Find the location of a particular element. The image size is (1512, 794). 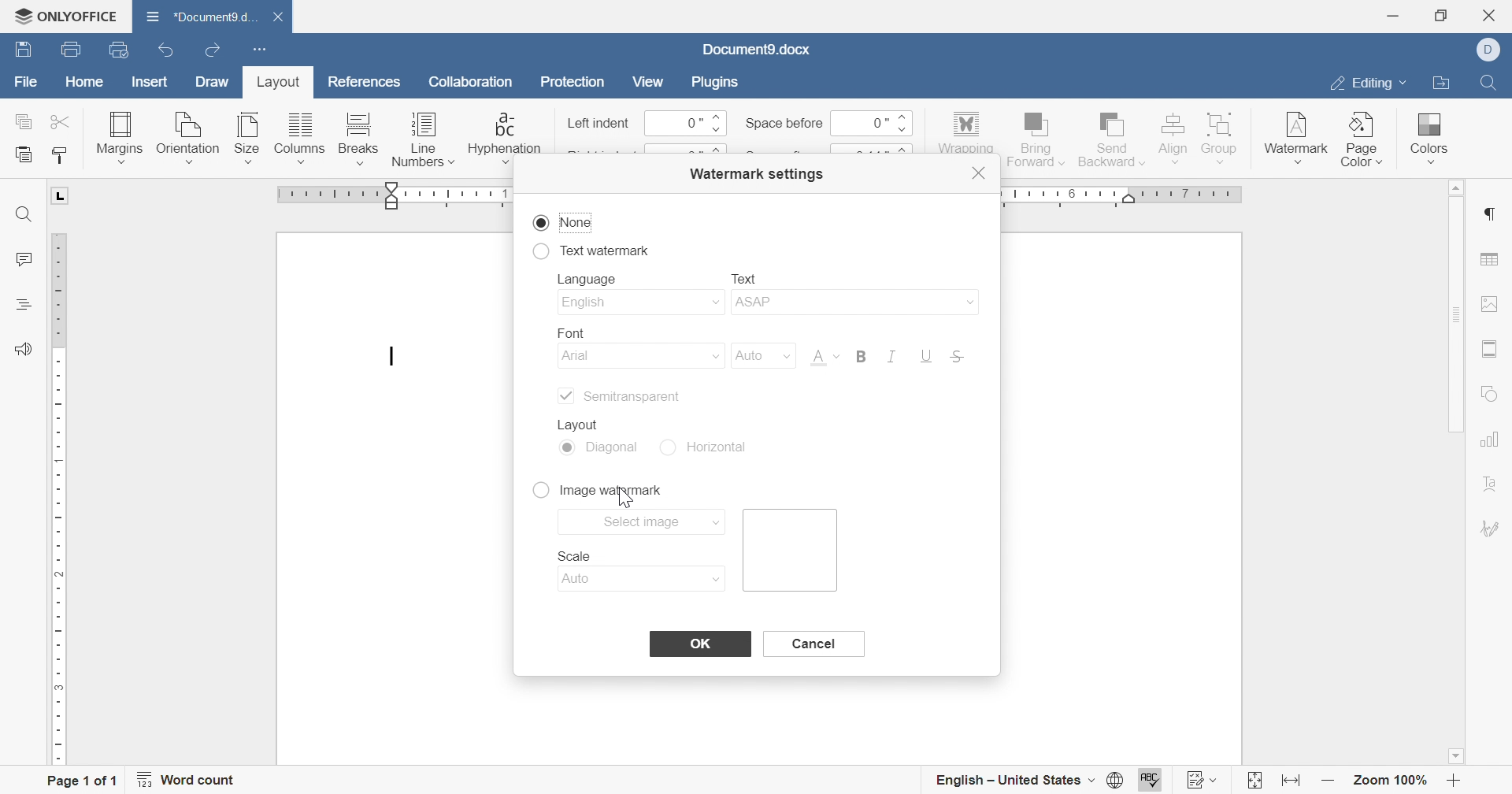

0 is located at coordinates (869, 122).